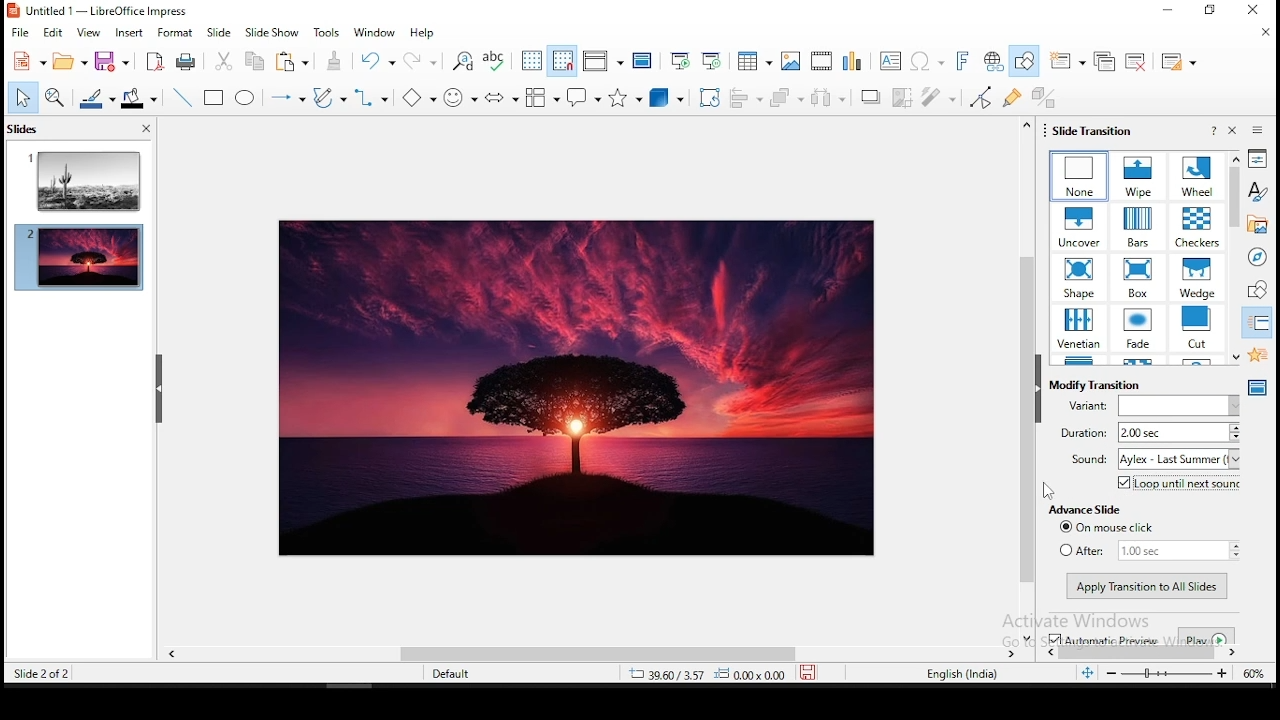 The height and width of the screenshot is (720, 1280). Describe the element at coordinates (1094, 130) in the screenshot. I see `slide transition` at that location.